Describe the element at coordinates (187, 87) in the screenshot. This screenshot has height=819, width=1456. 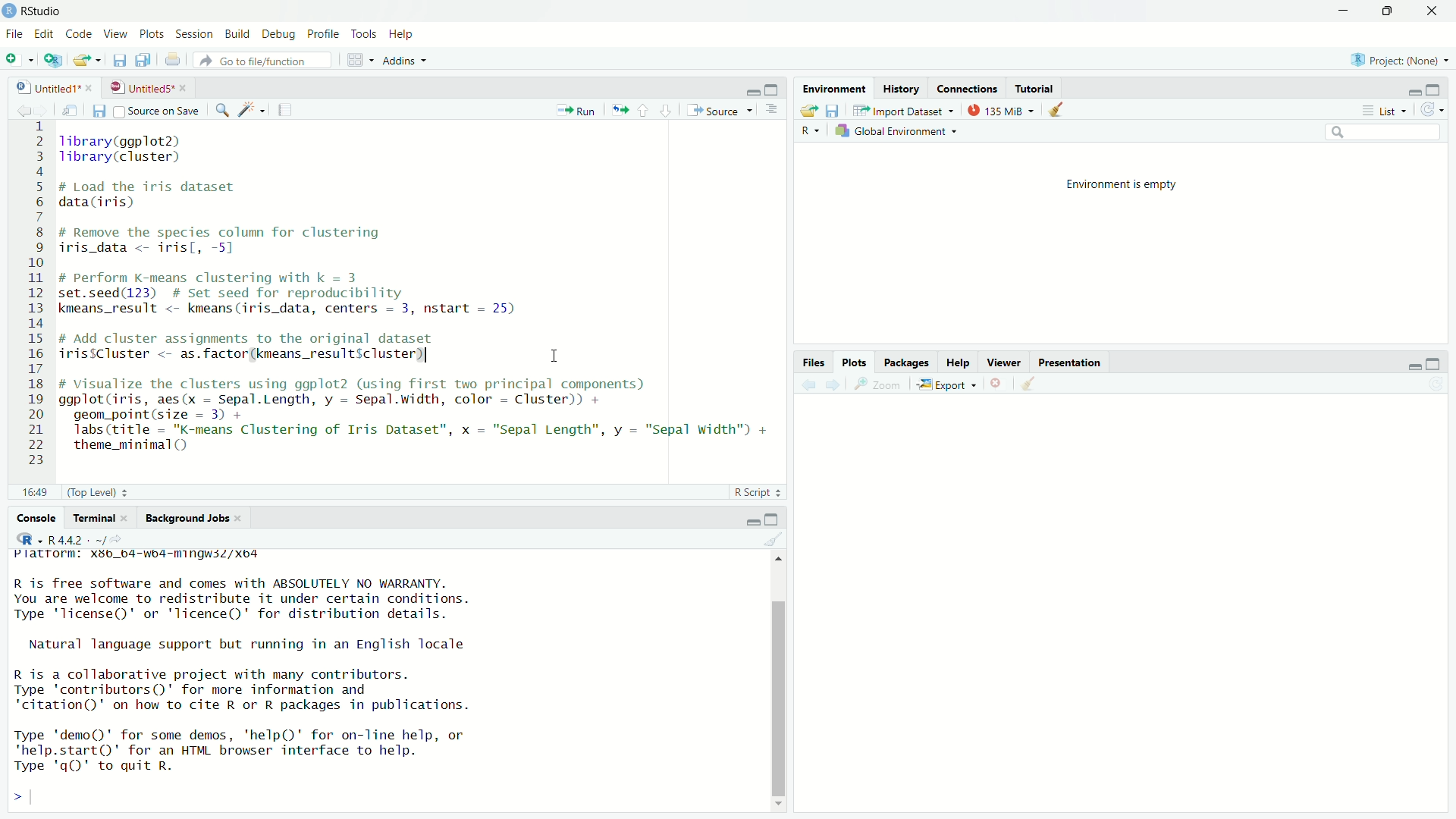
I see `close` at that location.